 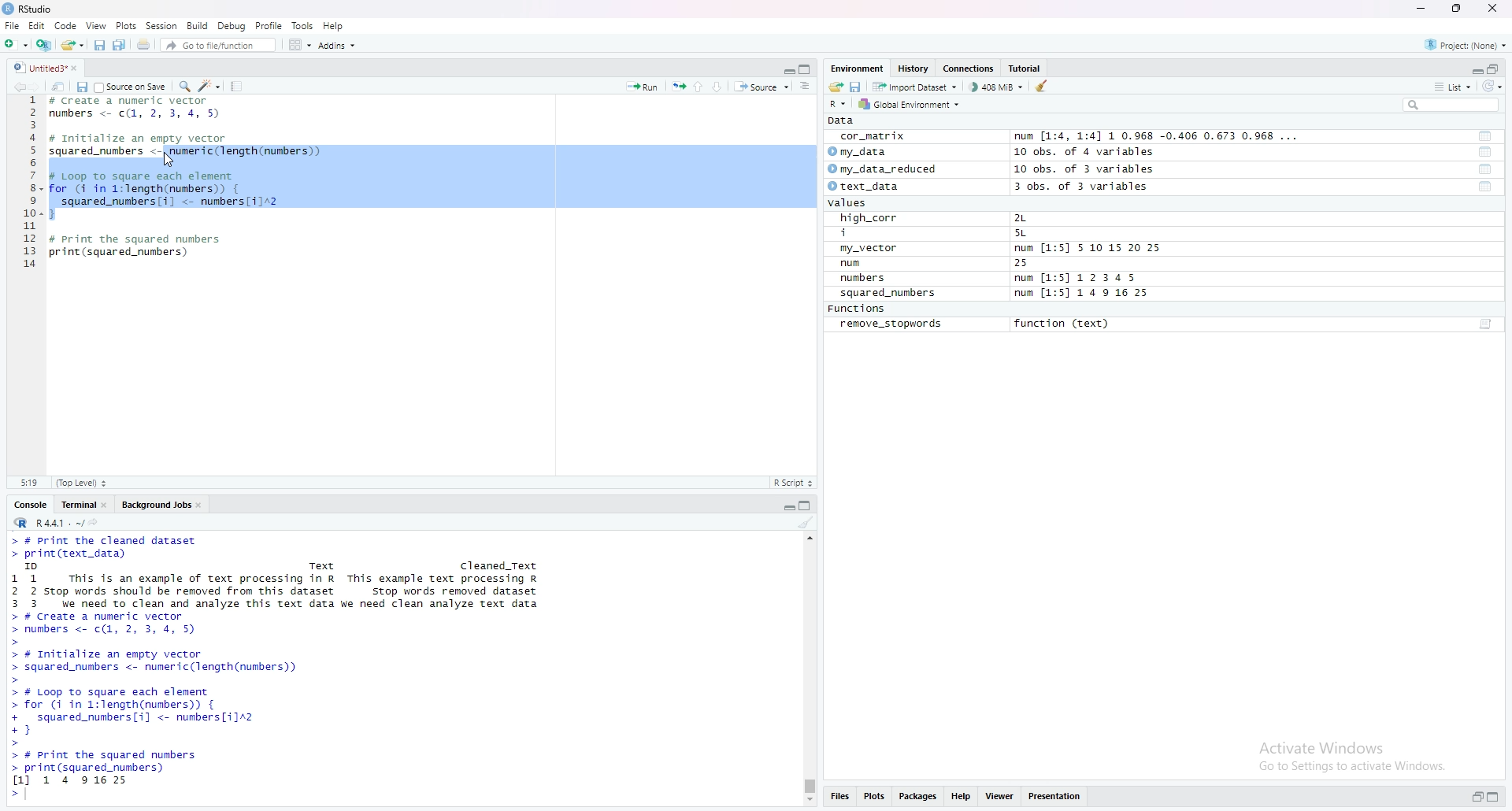 What do you see at coordinates (336, 45) in the screenshot?
I see `Addins` at bounding box center [336, 45].